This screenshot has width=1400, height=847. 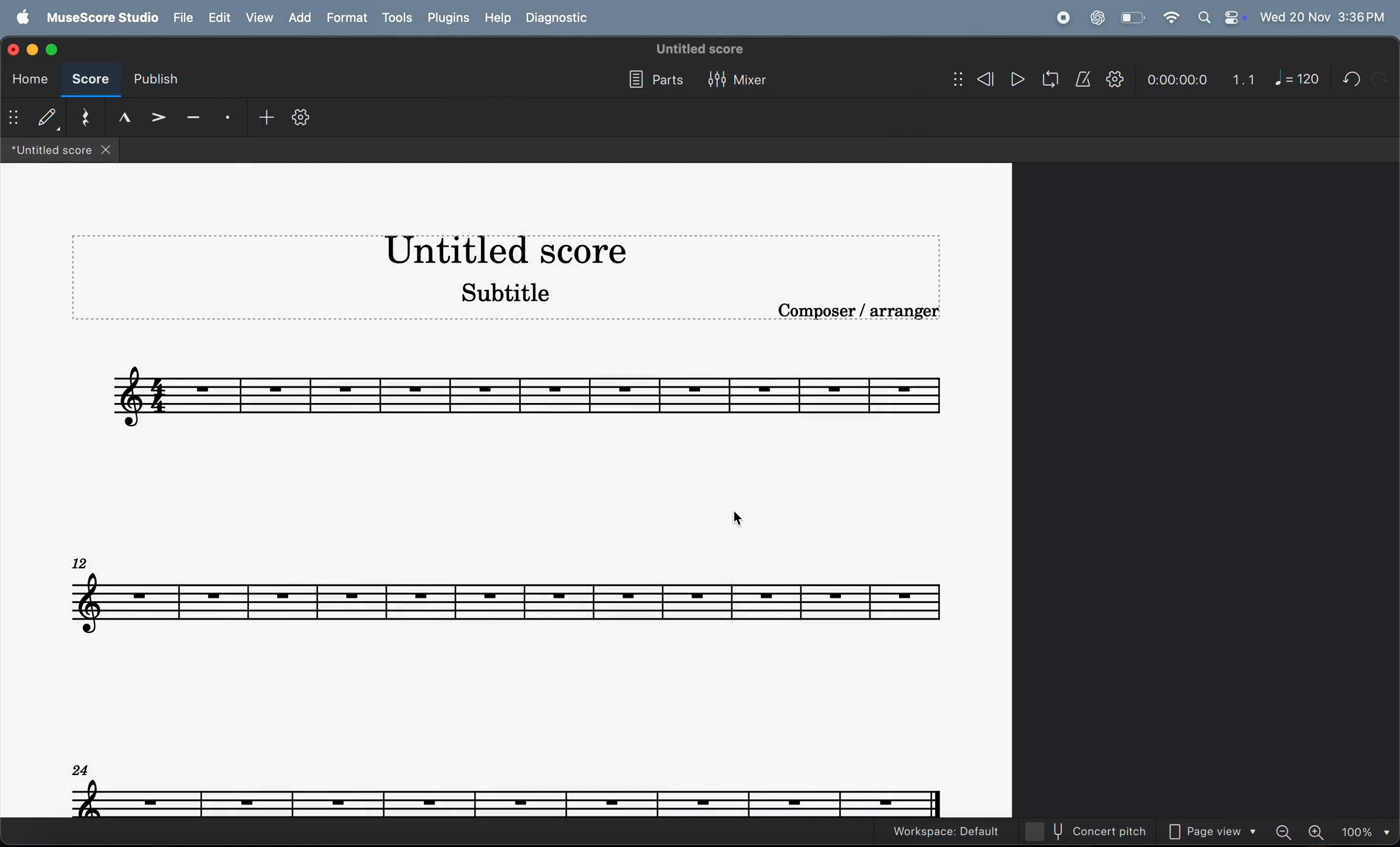 I want to click on workspace default, so click(x=949, y=832).